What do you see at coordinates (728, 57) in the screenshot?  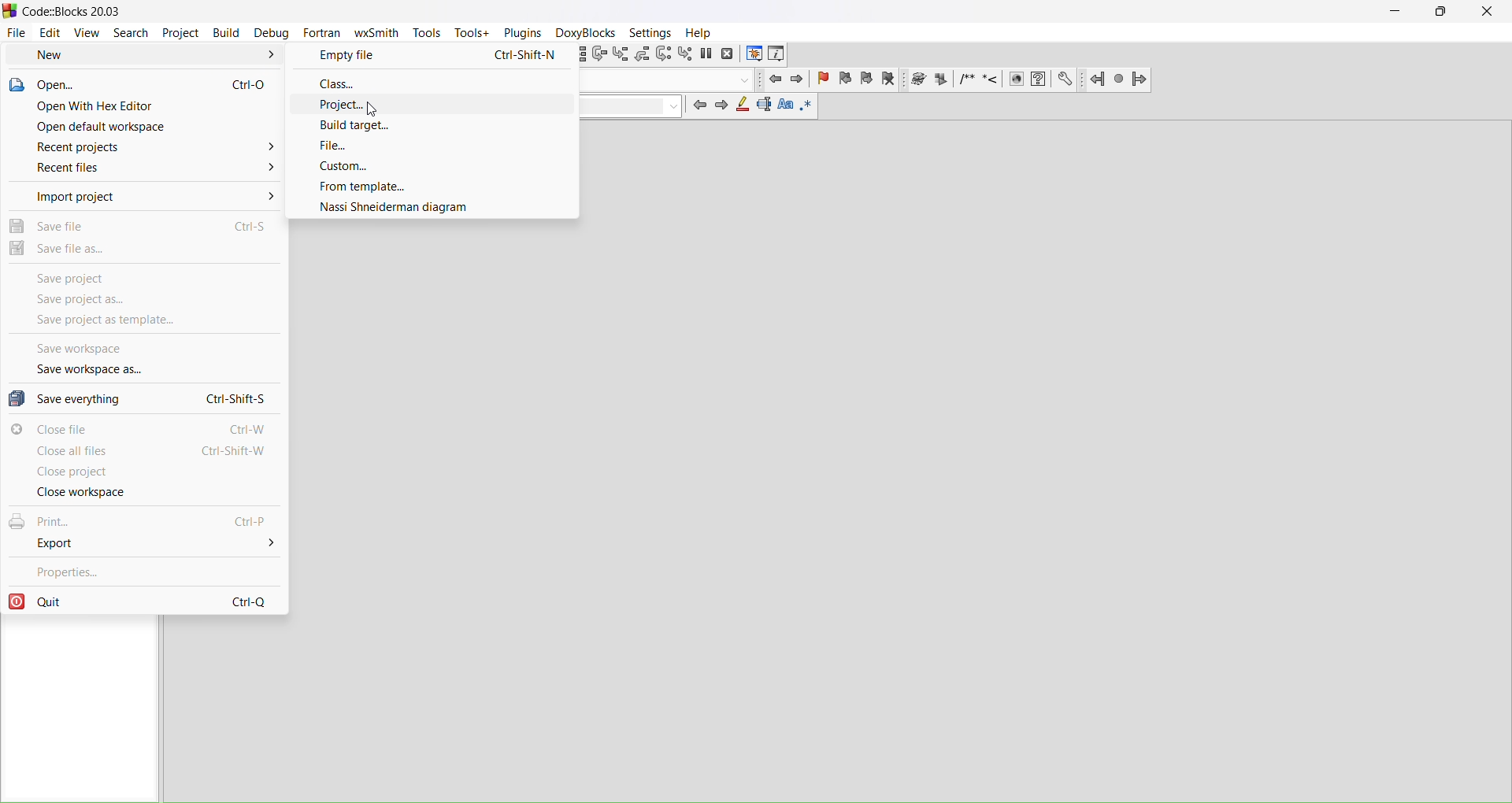 I see `stop debugger` at bounding box center [728, 57].